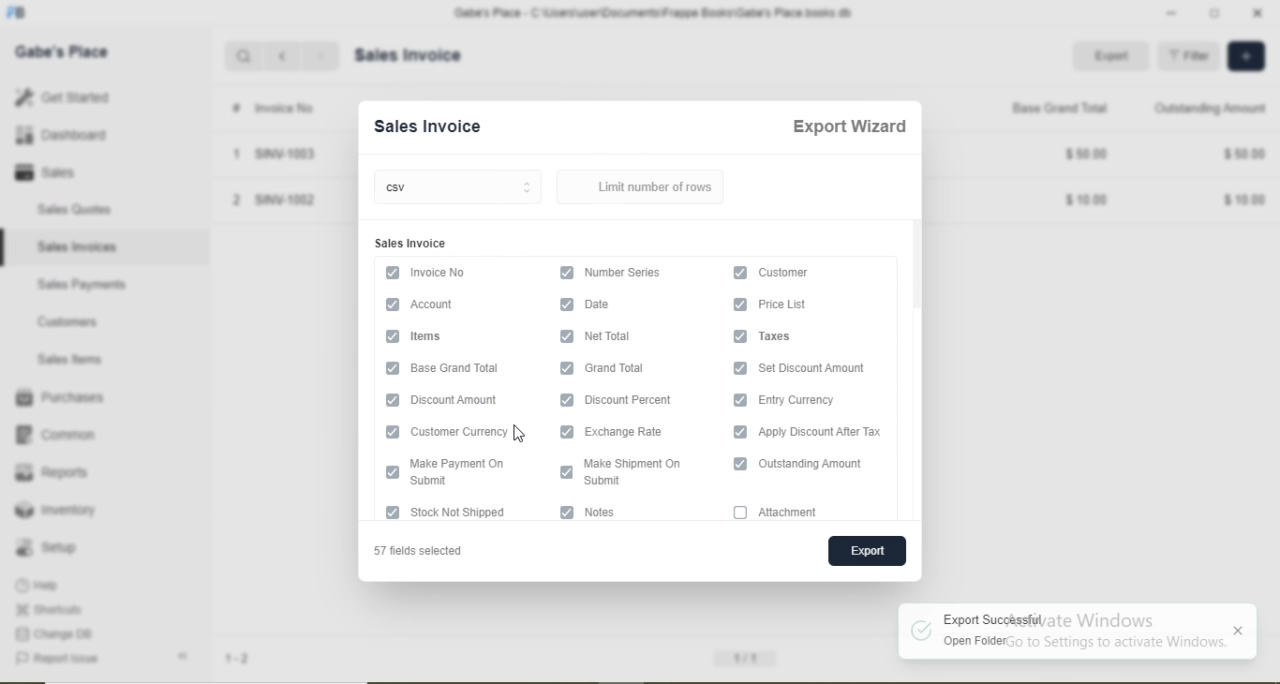 This screenshot has height=684, width=1280. Describe the element at coordinates (463, 401) in the screenshot. I see `‘Discount Amount` at that location.